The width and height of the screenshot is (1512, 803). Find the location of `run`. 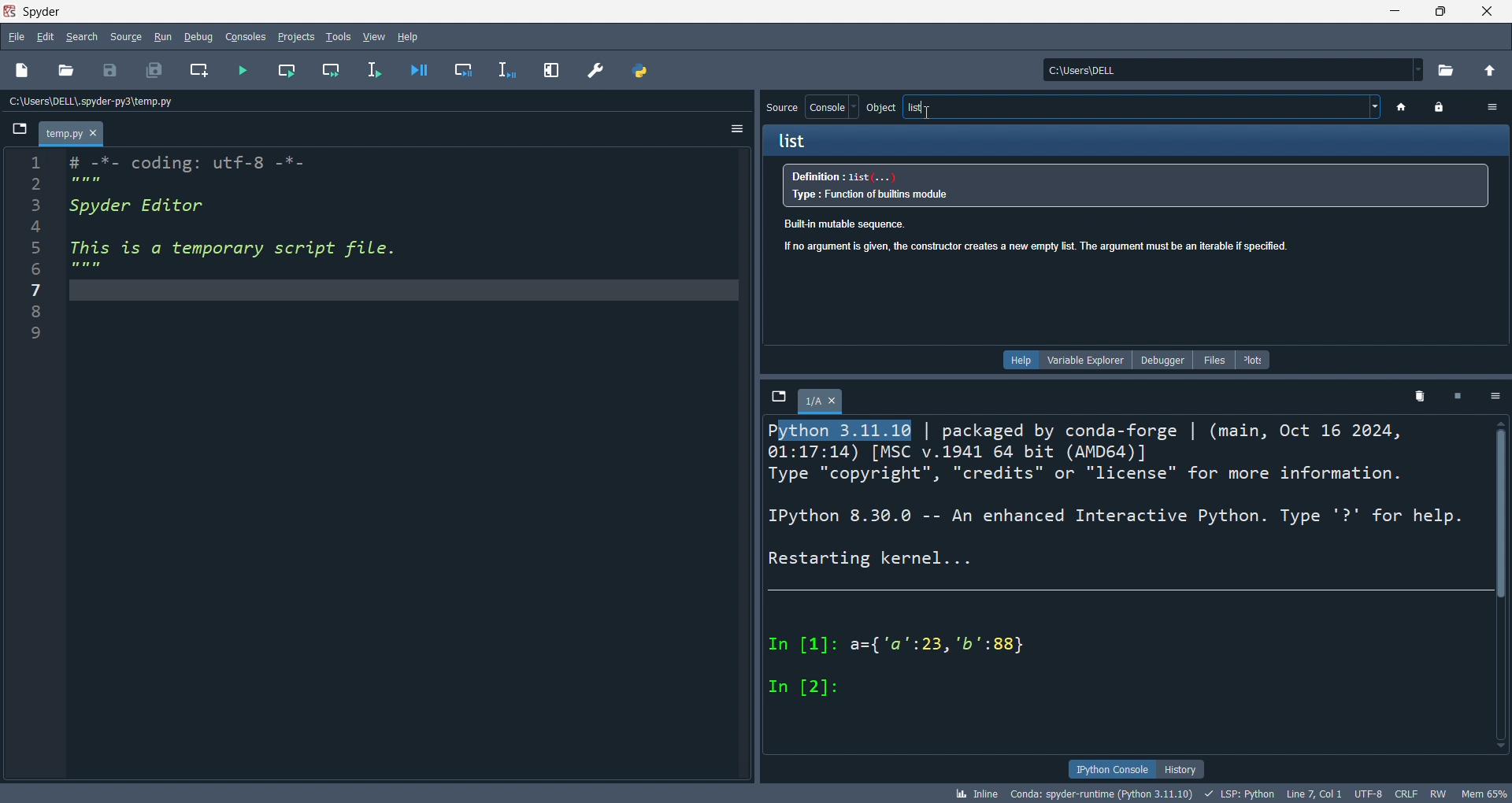

run is located at coordinates (243, 68).